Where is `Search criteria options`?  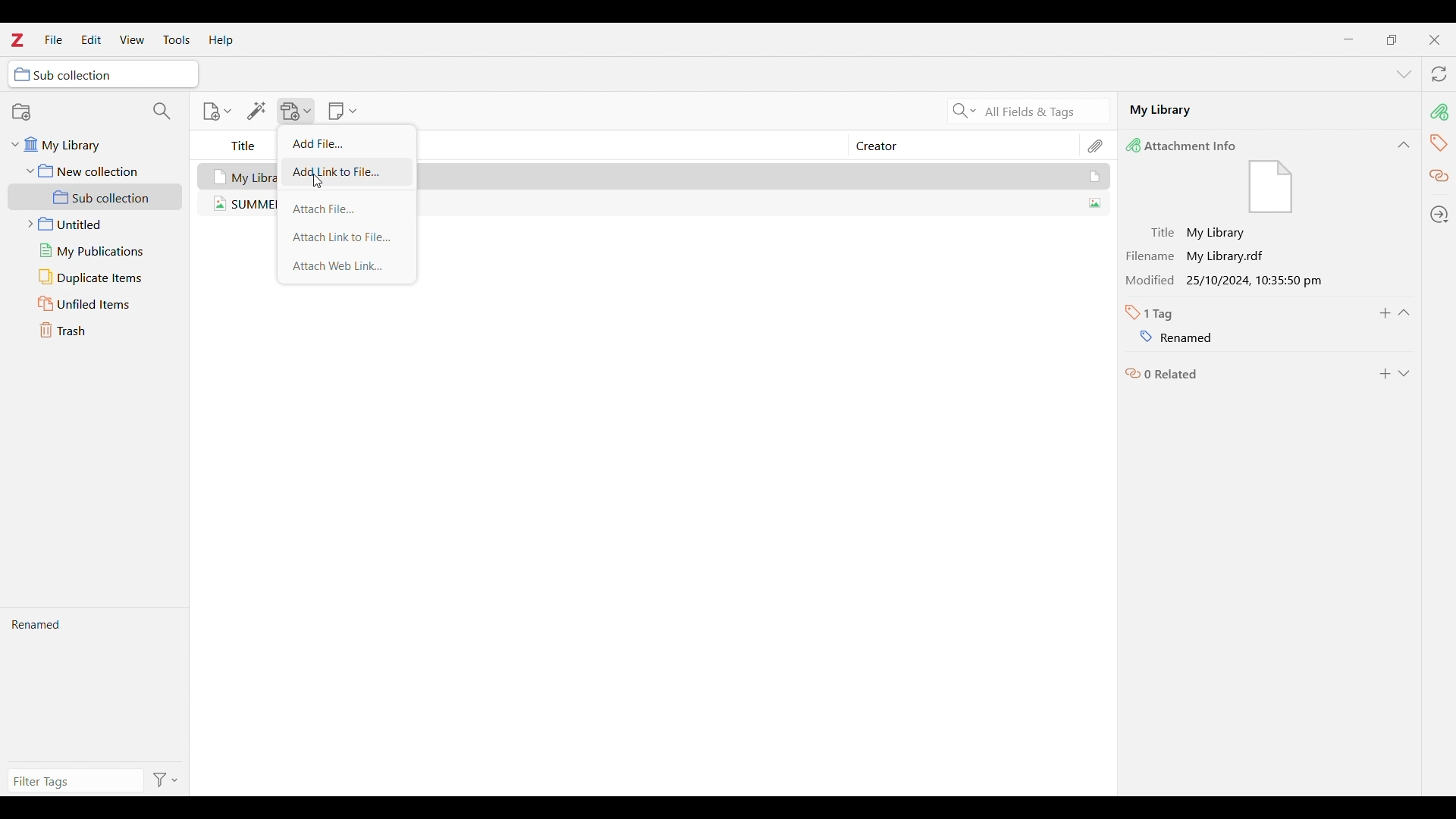
Search criteria options is located at coordinates (962, 110).